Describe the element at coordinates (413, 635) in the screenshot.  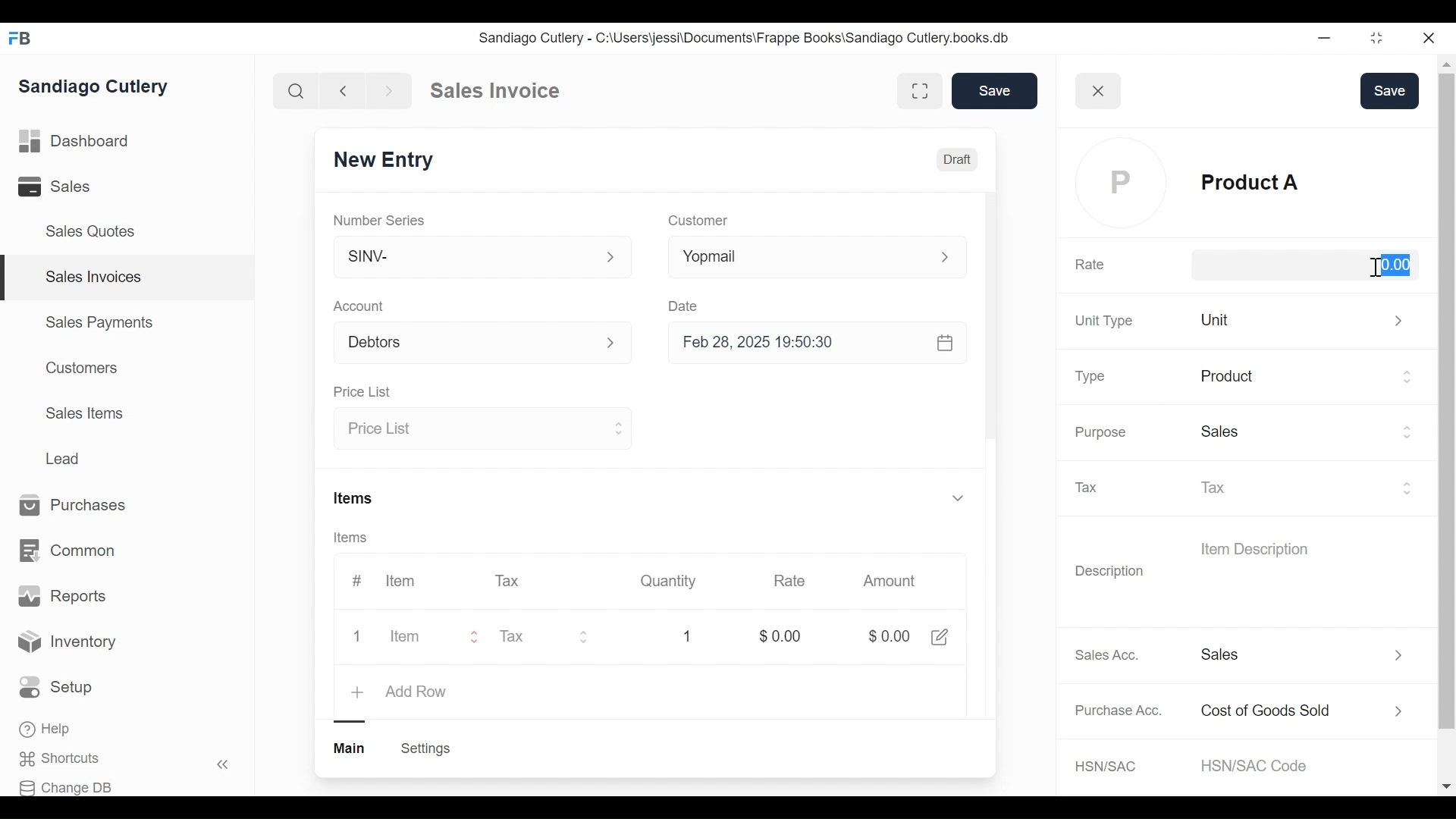
I see `Item ` at that location.